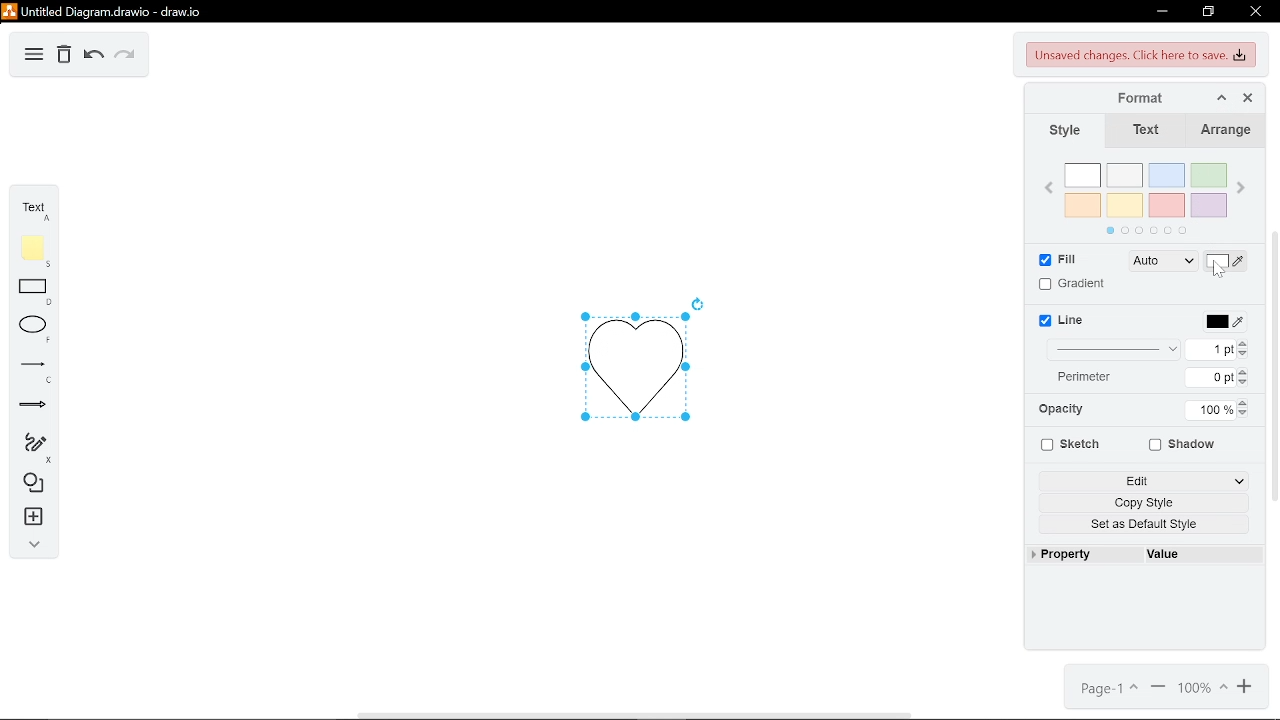  I want to click on style, so click(1061, 132).